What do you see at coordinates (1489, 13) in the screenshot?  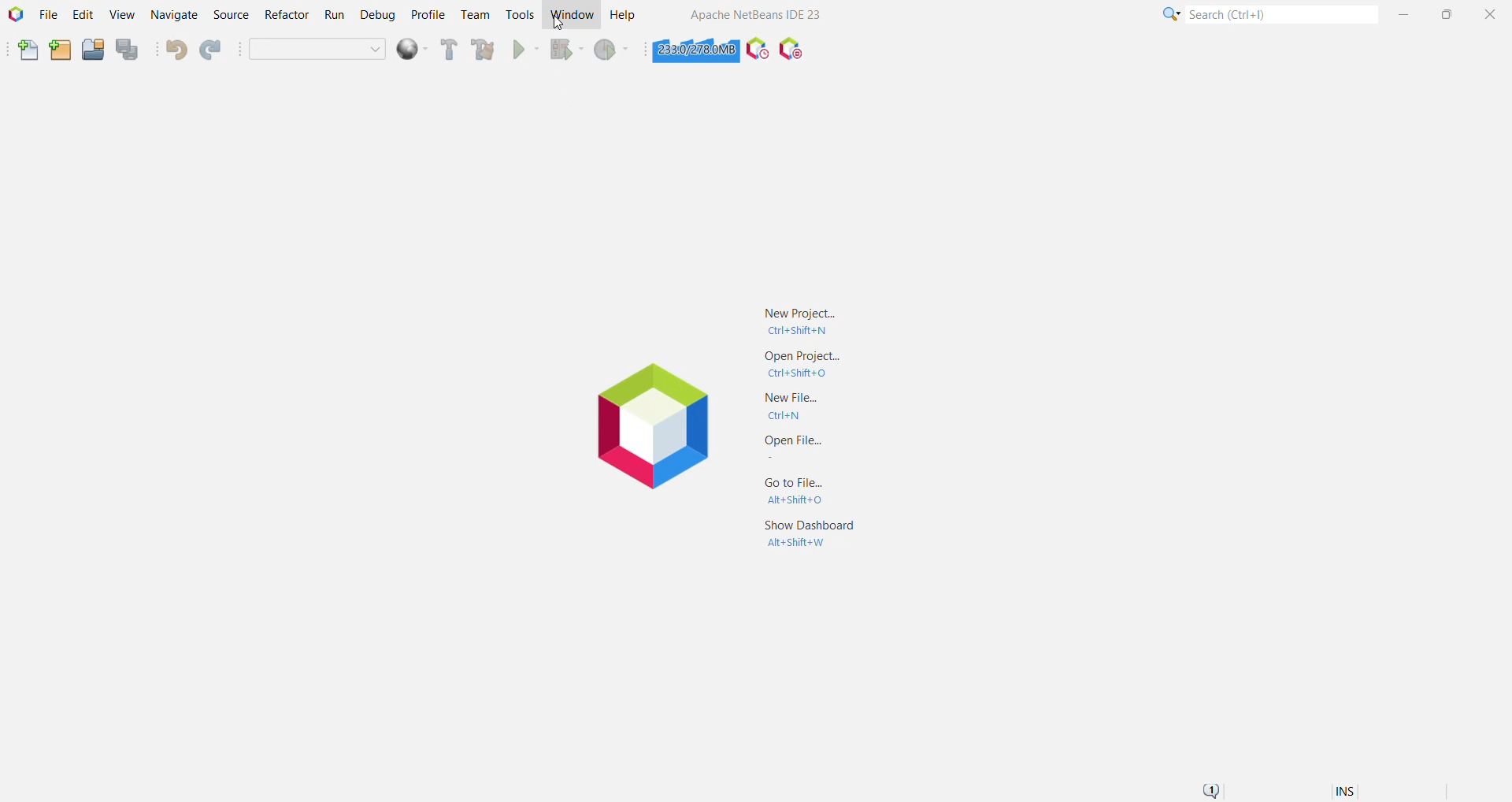 I see `Close` at bounding box center [1489, 13].